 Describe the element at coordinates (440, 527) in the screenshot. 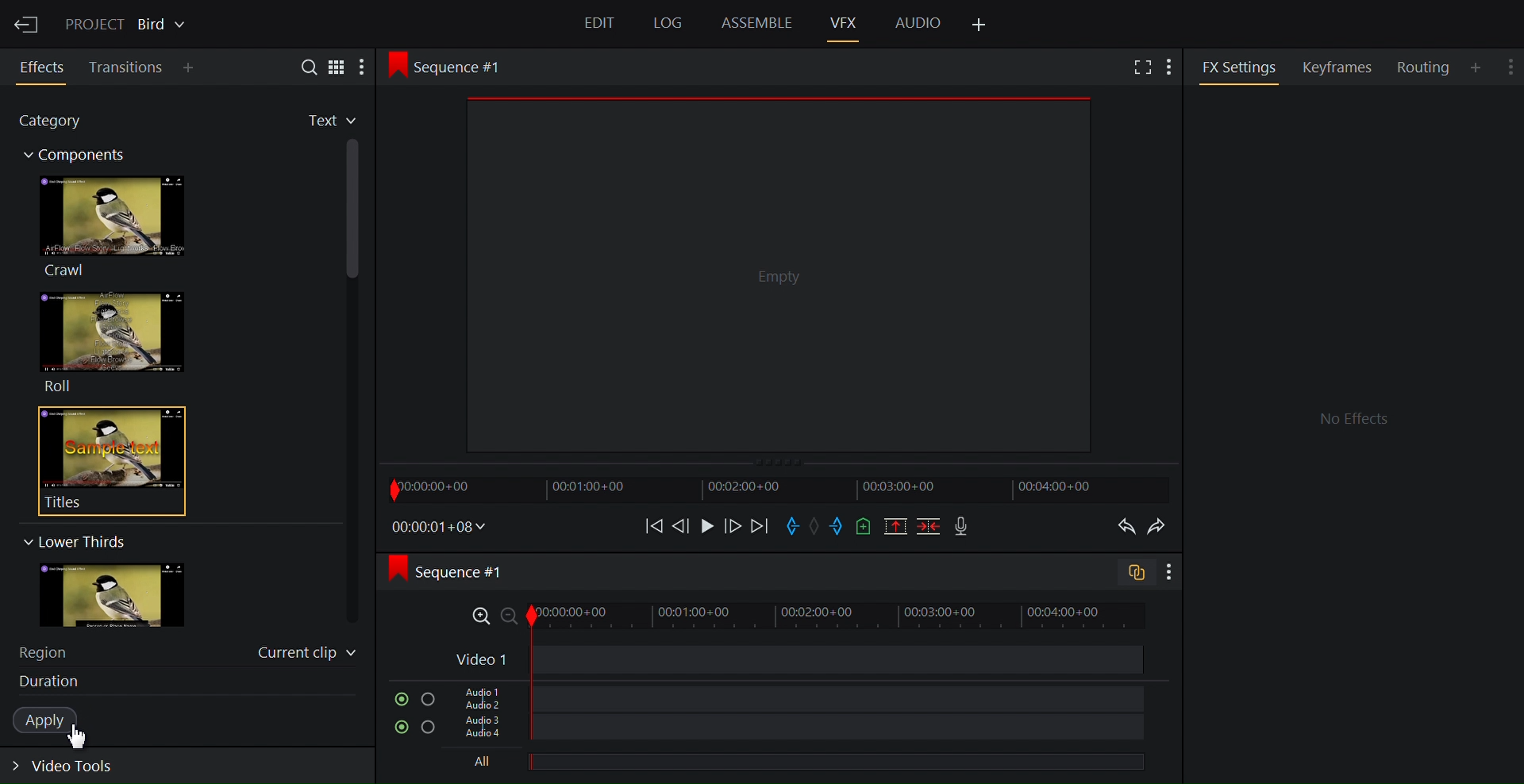

I see `Timecodes and reels` at that location.